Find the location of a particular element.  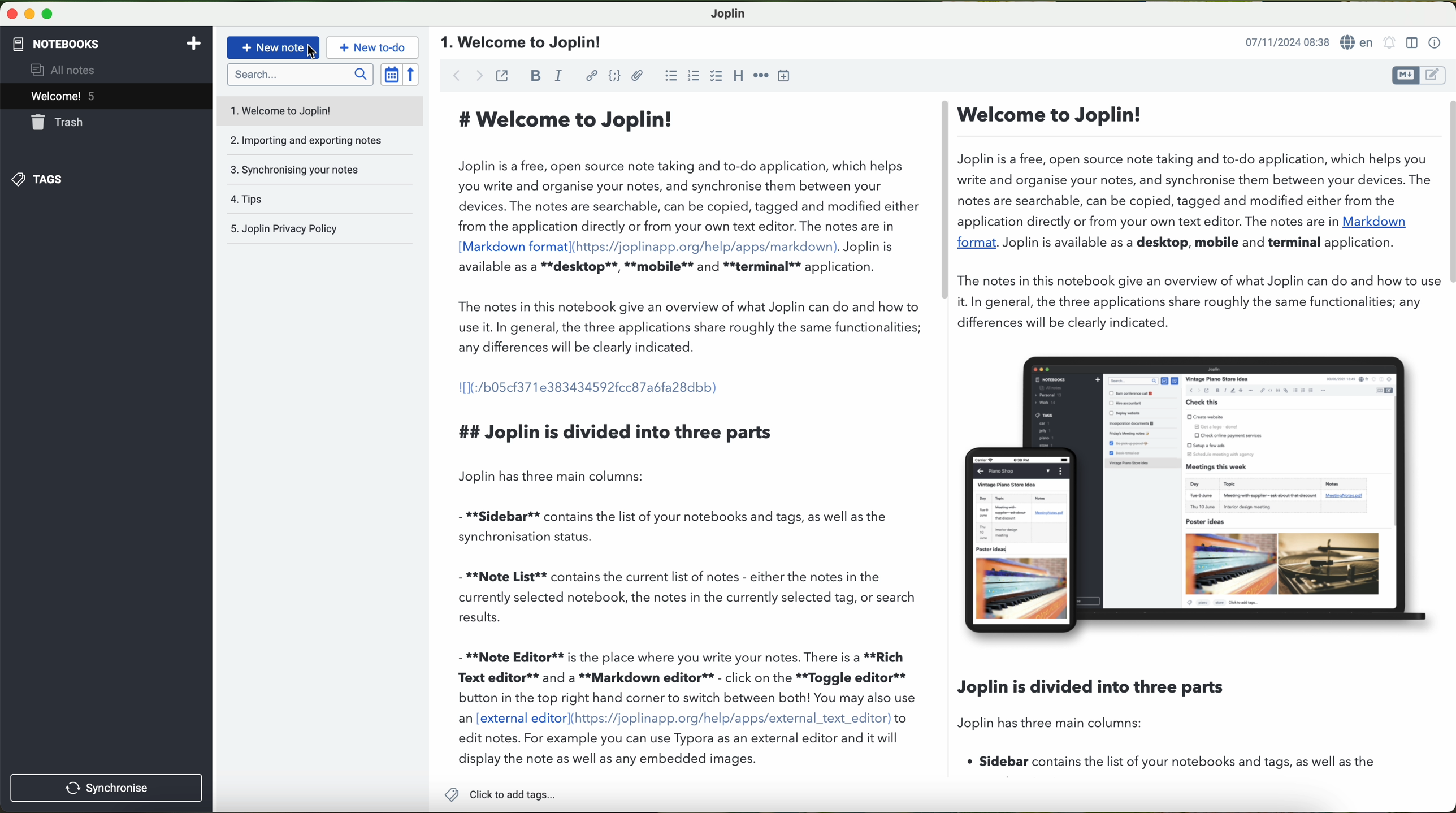

bulleted list is located at coordinates (671, 75).